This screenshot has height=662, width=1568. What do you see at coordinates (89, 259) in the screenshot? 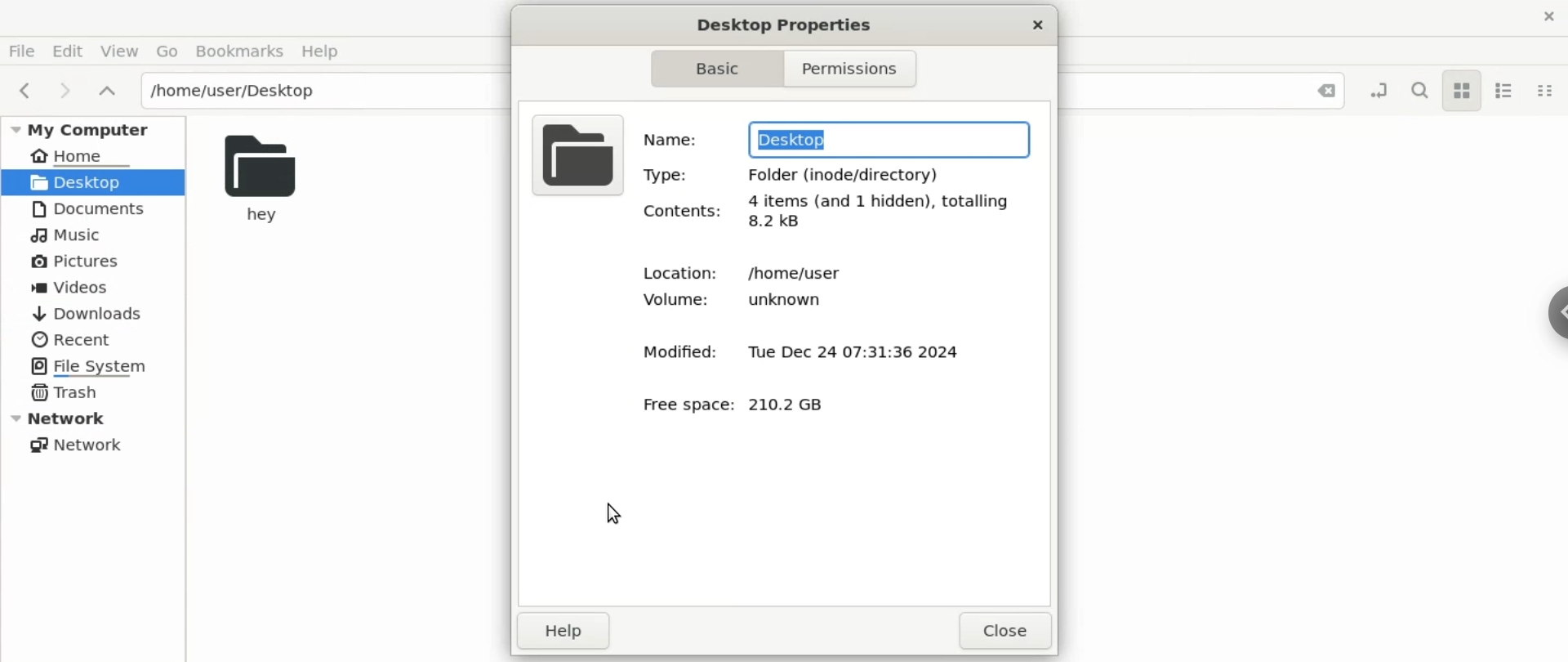
I see `pictures` at bounding box center [89, 259].